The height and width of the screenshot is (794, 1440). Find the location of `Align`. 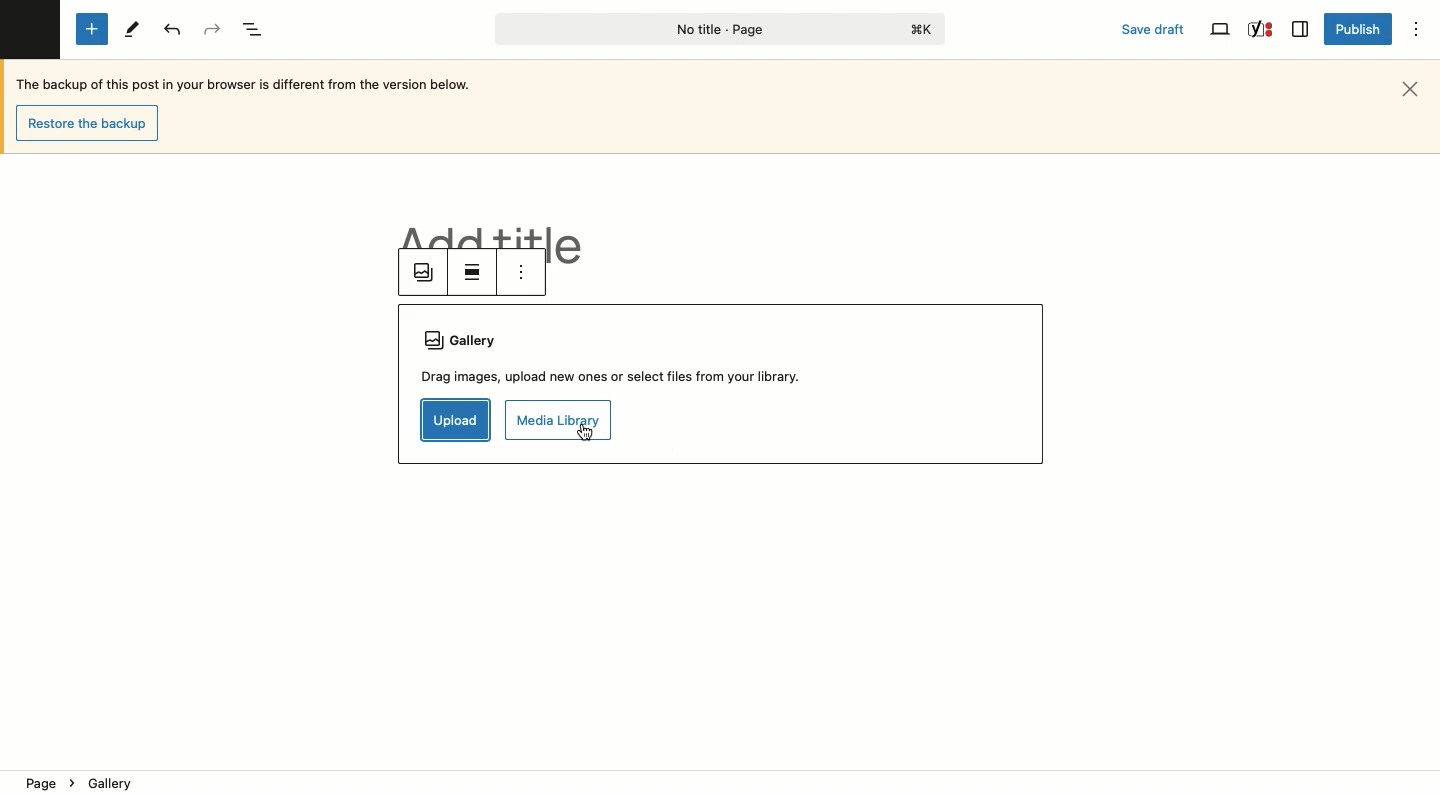

Align is located at coordinates (476, 274).